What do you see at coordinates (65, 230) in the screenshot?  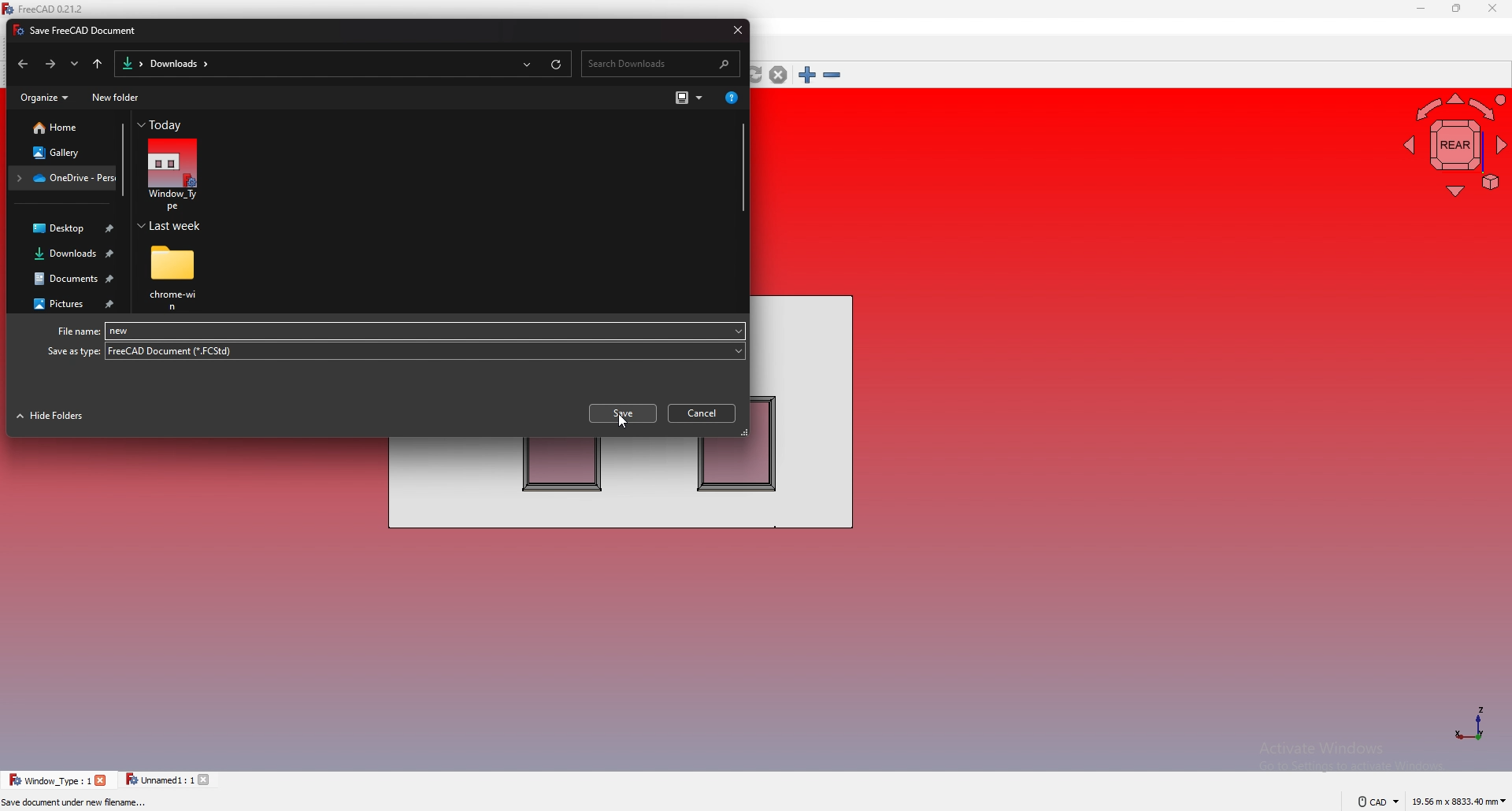 I see `desktop` at bounding box center [65, 230].